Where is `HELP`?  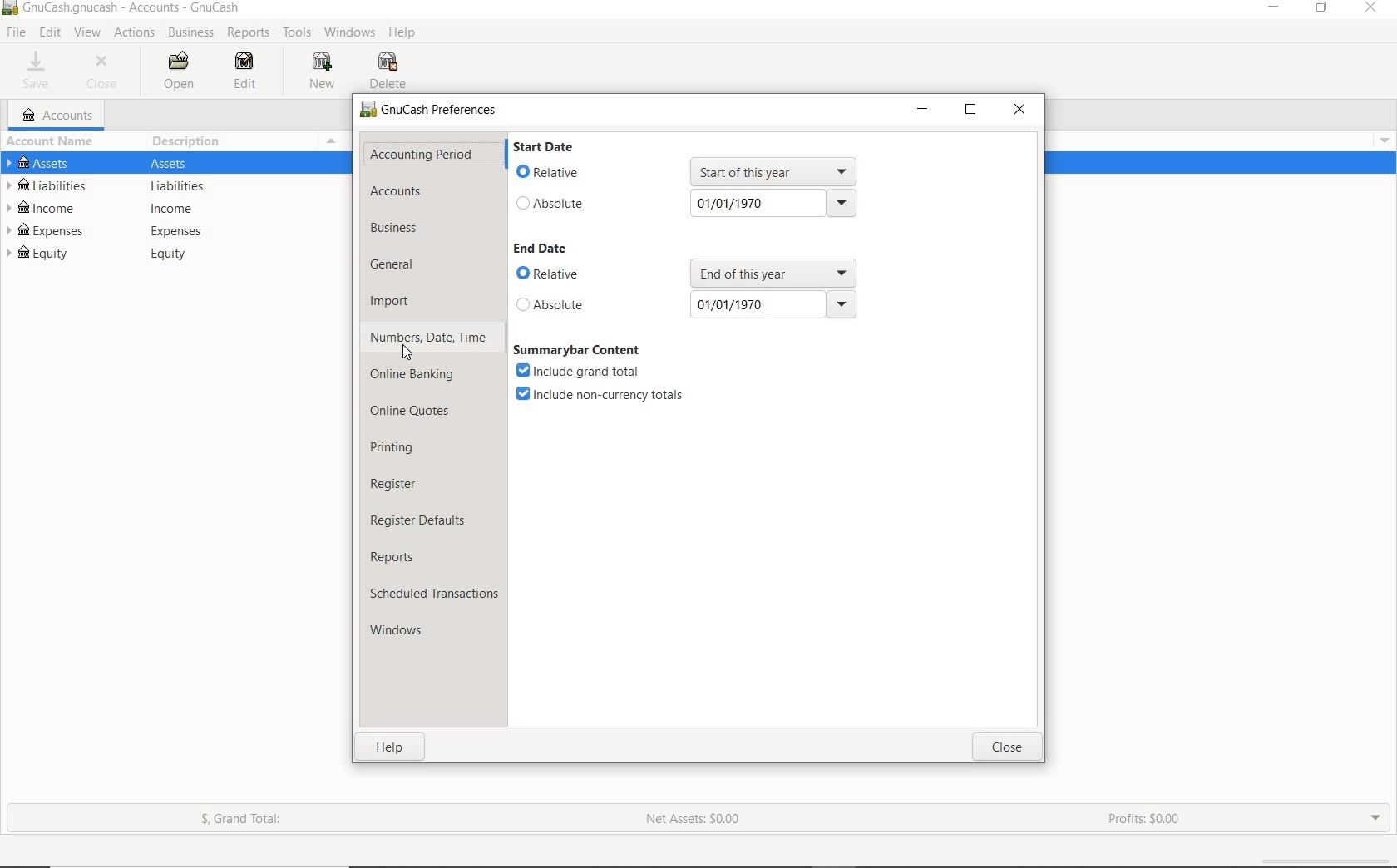
HELP is located at coordinates (403, 33).